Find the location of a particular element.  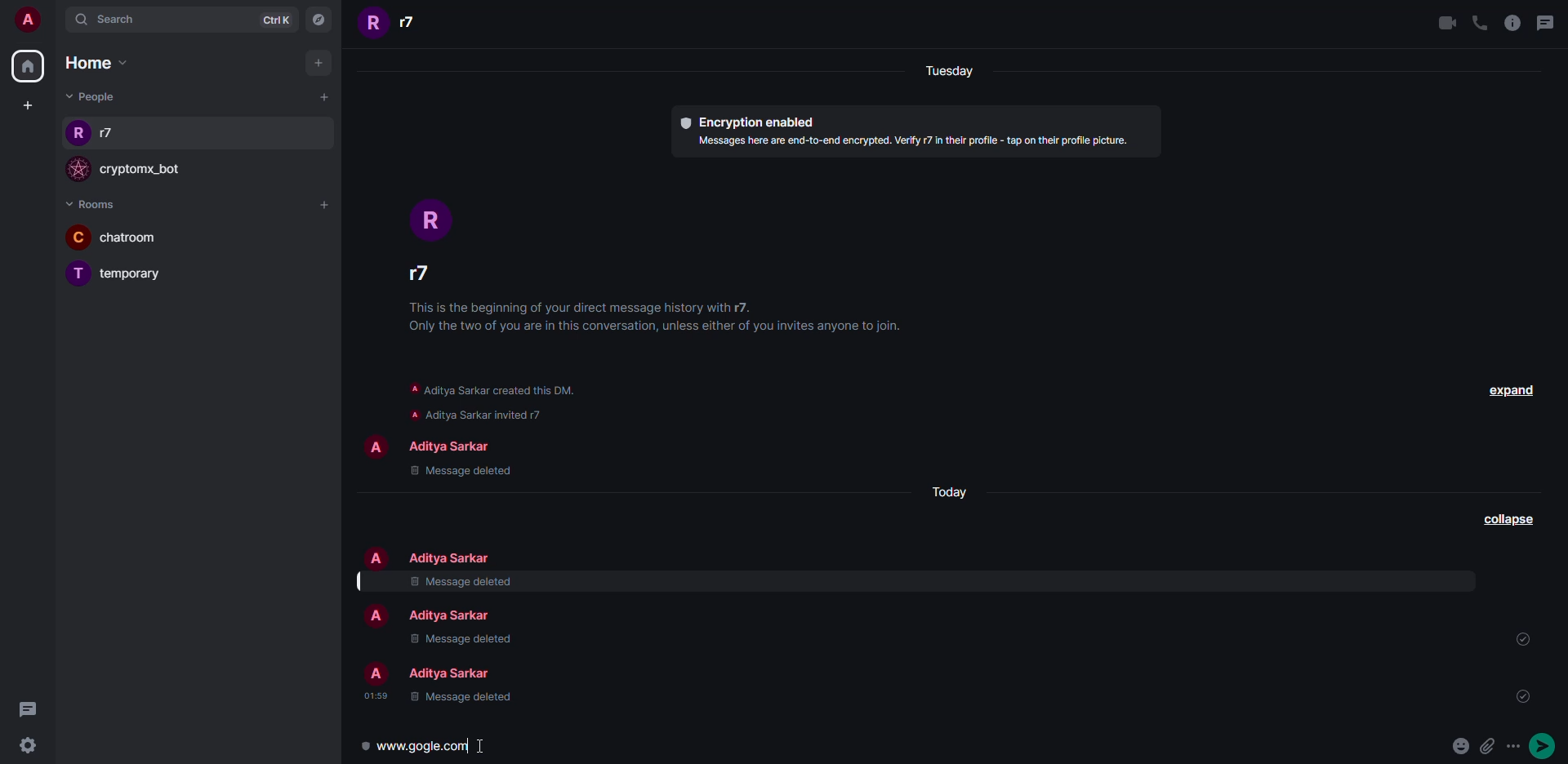

info is located at coordinates (663, 319).